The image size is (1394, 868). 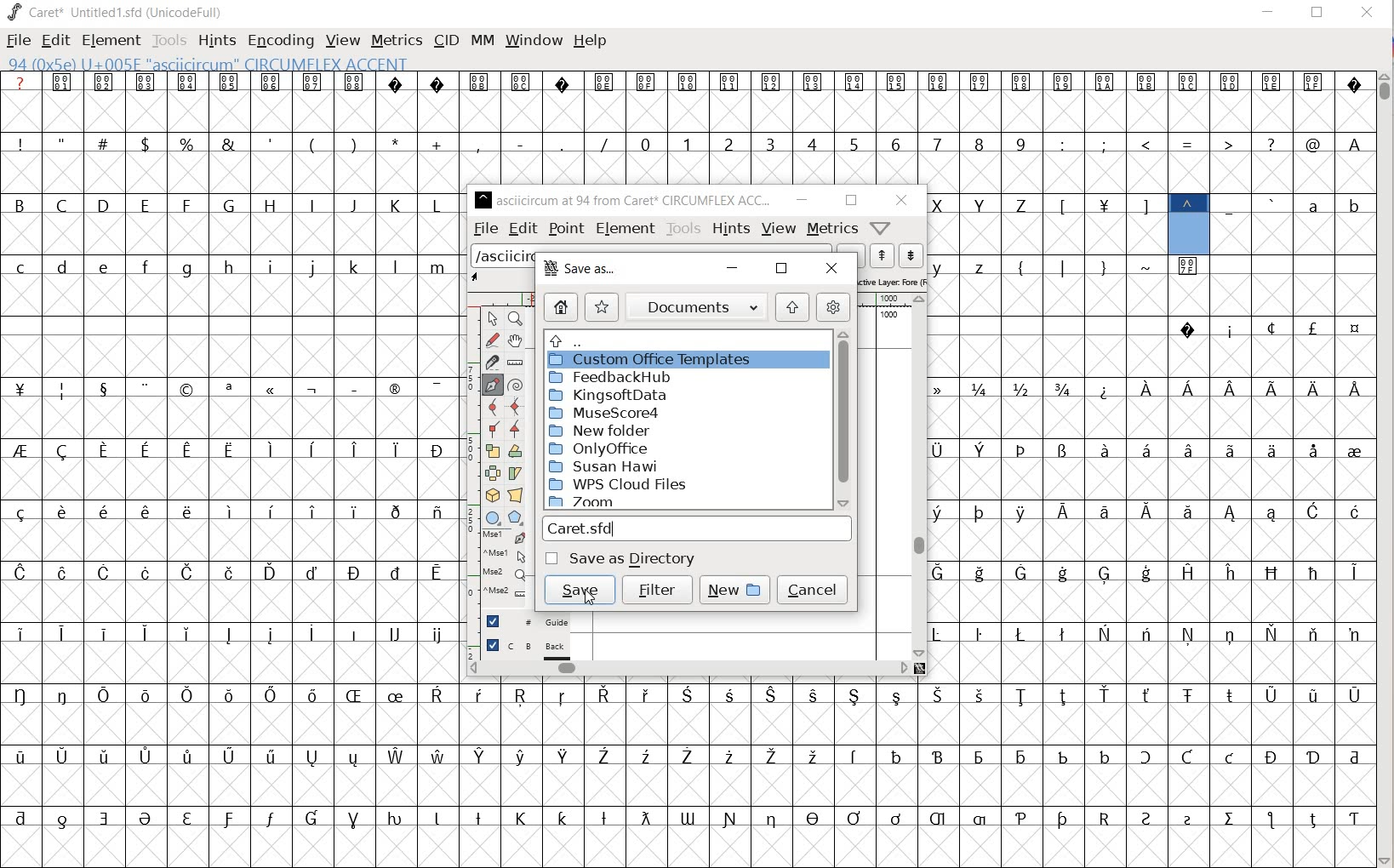 What do you see at coordinates (479, 40) in the screenshot?
I see `MM` at bounding box center [479, 40].